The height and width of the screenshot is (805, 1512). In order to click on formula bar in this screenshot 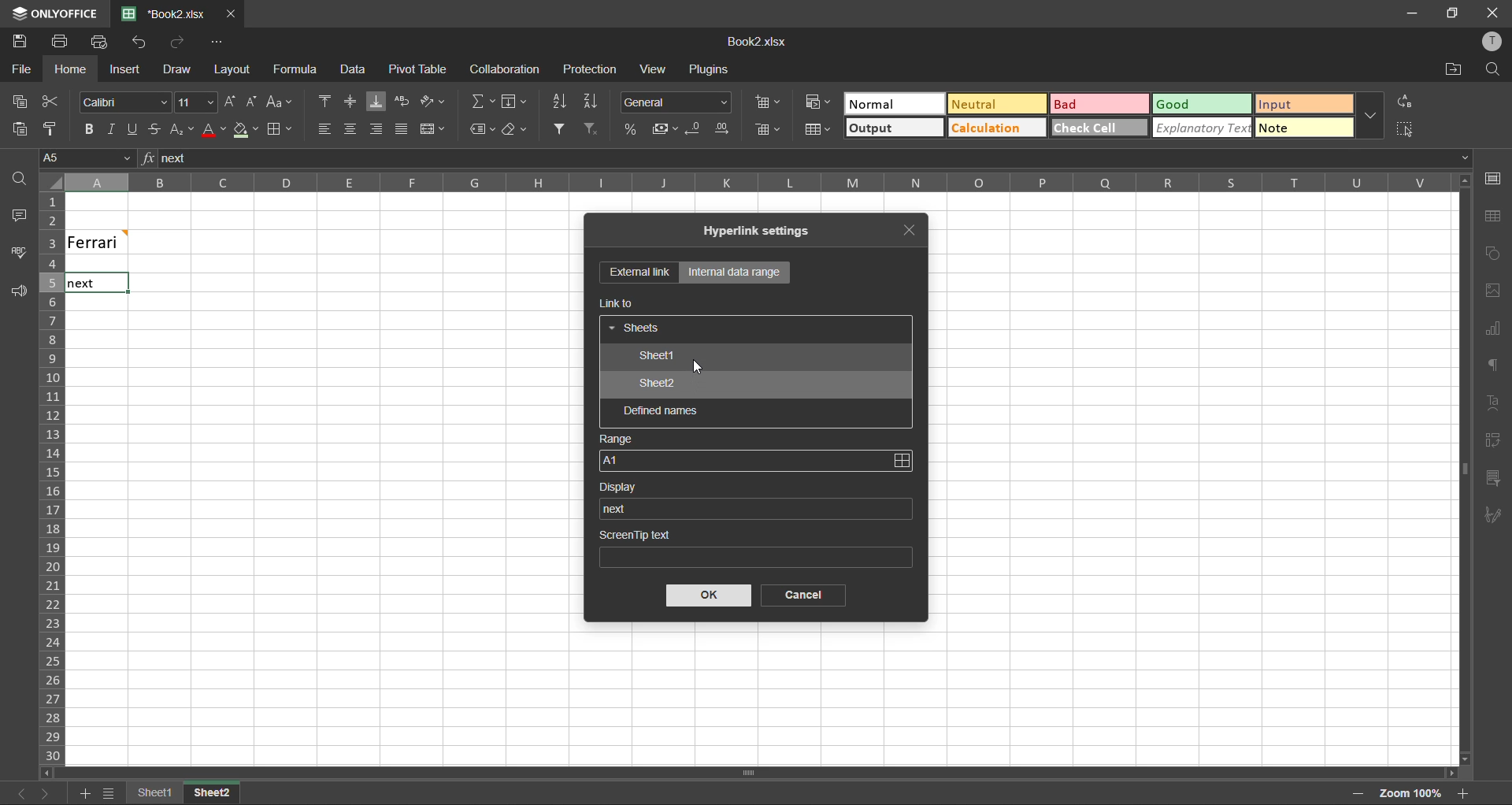, I will do `click(806, 158)`.